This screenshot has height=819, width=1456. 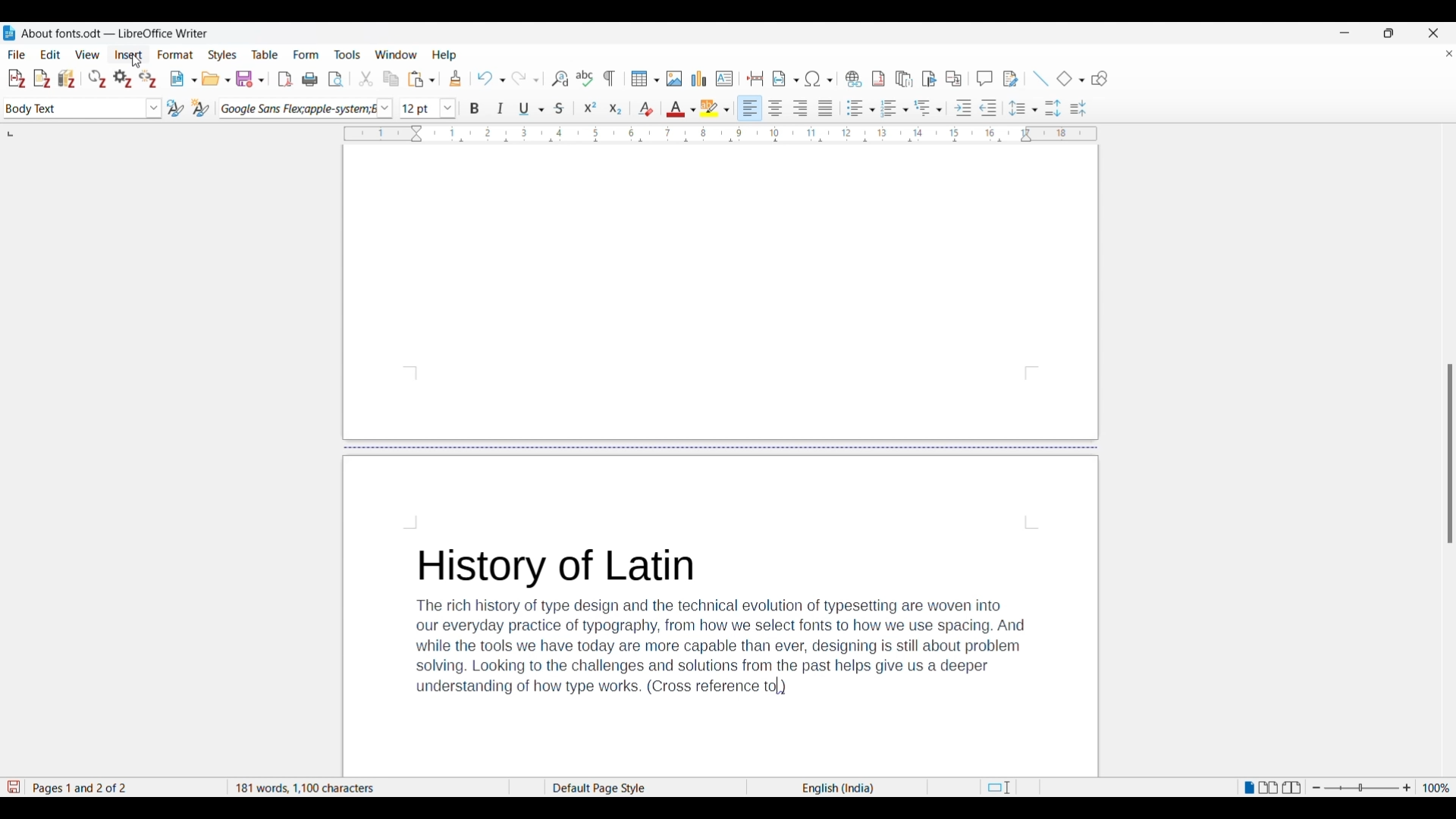 What do you see at coordinates (1361, 789) in the screenshot?
I see `Change zoom slider` at bounding box center [1361, 789].